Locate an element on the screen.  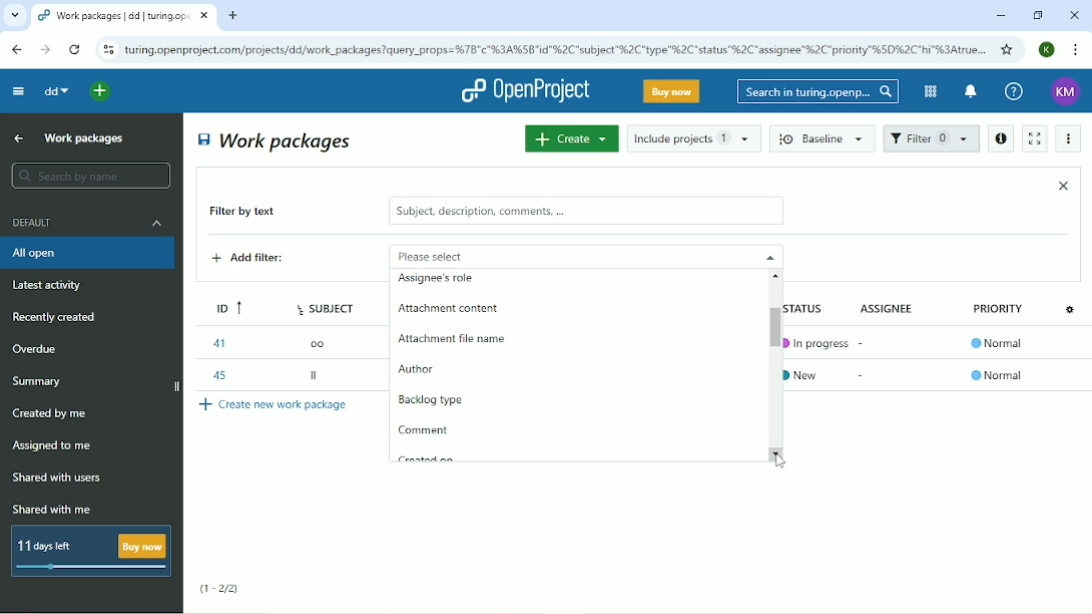
Restore down is located at coordinates (1037, 15).